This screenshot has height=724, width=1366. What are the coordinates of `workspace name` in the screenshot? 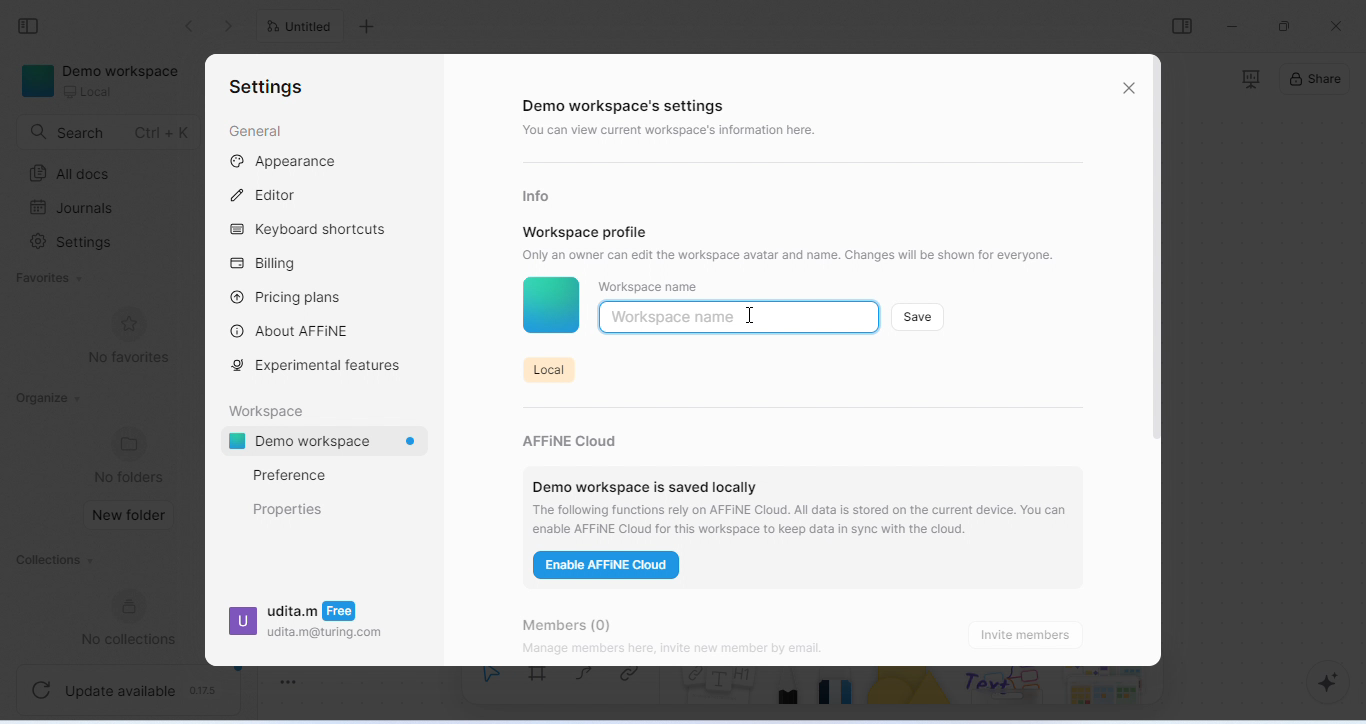 It's located at (674, 317).